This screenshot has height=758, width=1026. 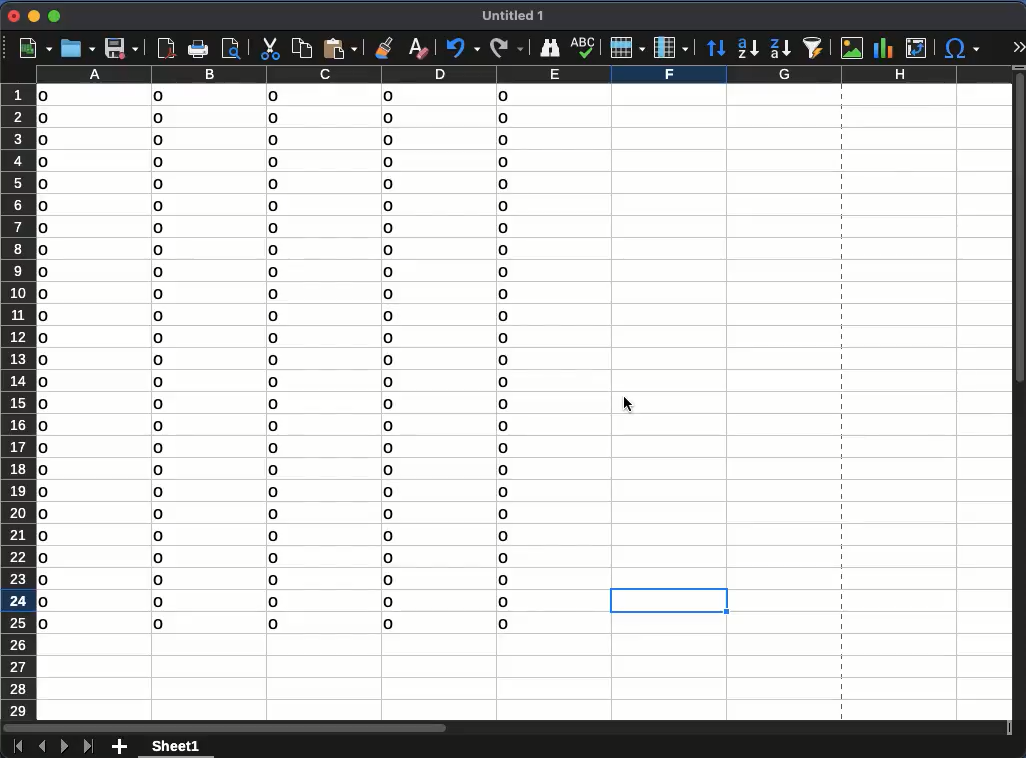 I want to click on untitled, so click(x=517, y=17).